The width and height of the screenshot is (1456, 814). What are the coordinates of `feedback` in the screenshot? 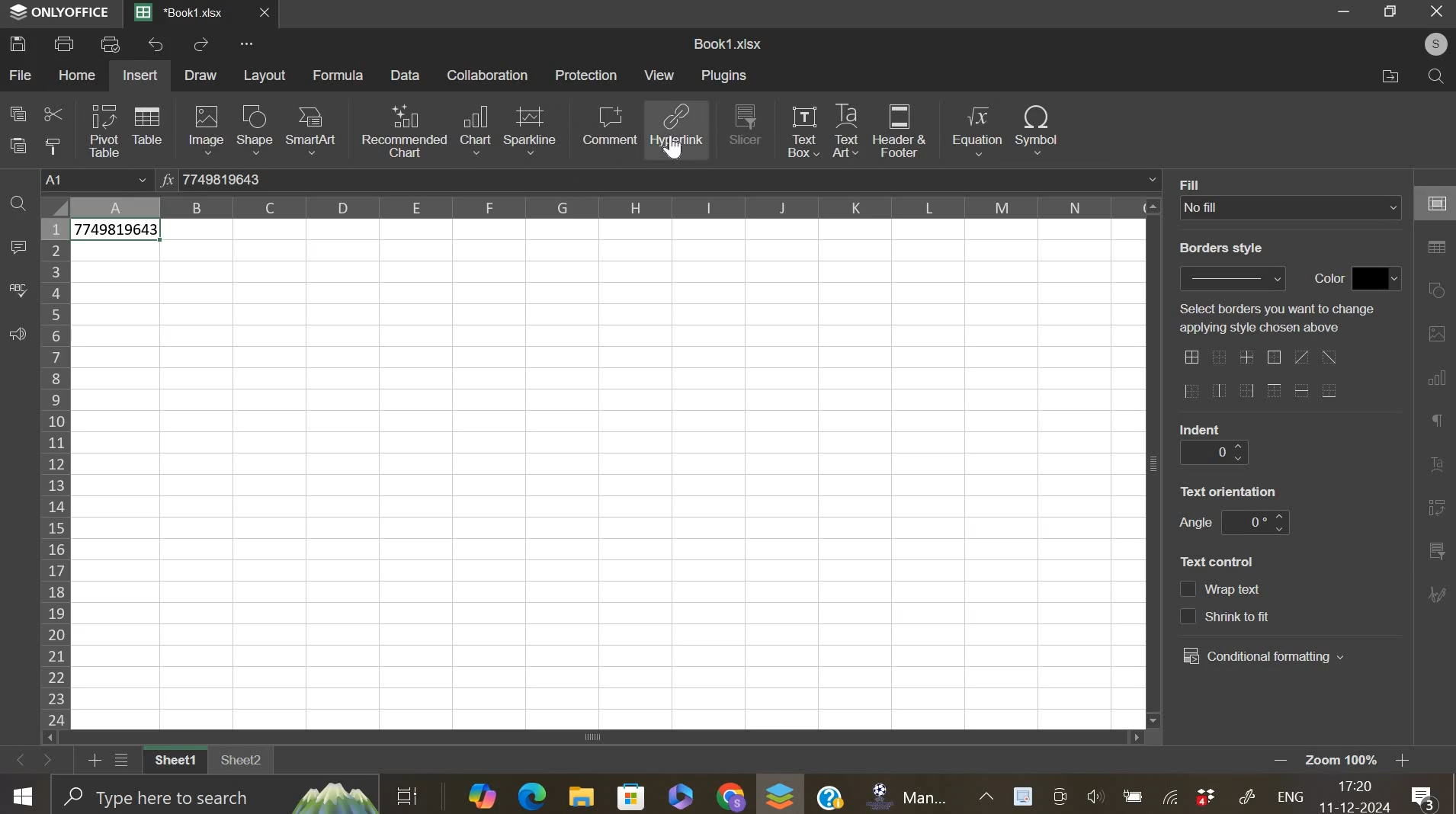 It's located at (17, 335).